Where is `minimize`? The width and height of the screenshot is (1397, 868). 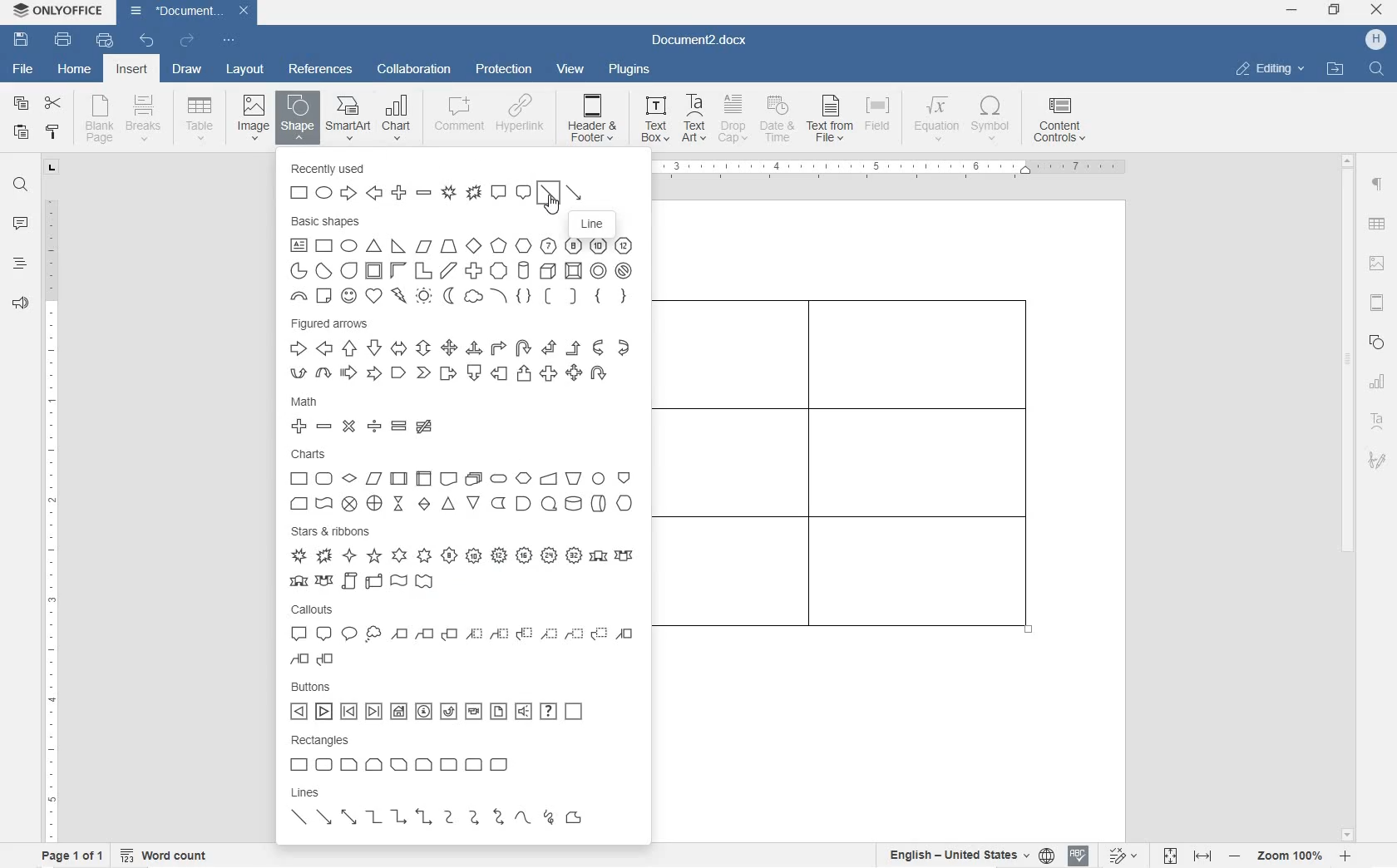
minimize is located at coordinates (1291, 10).